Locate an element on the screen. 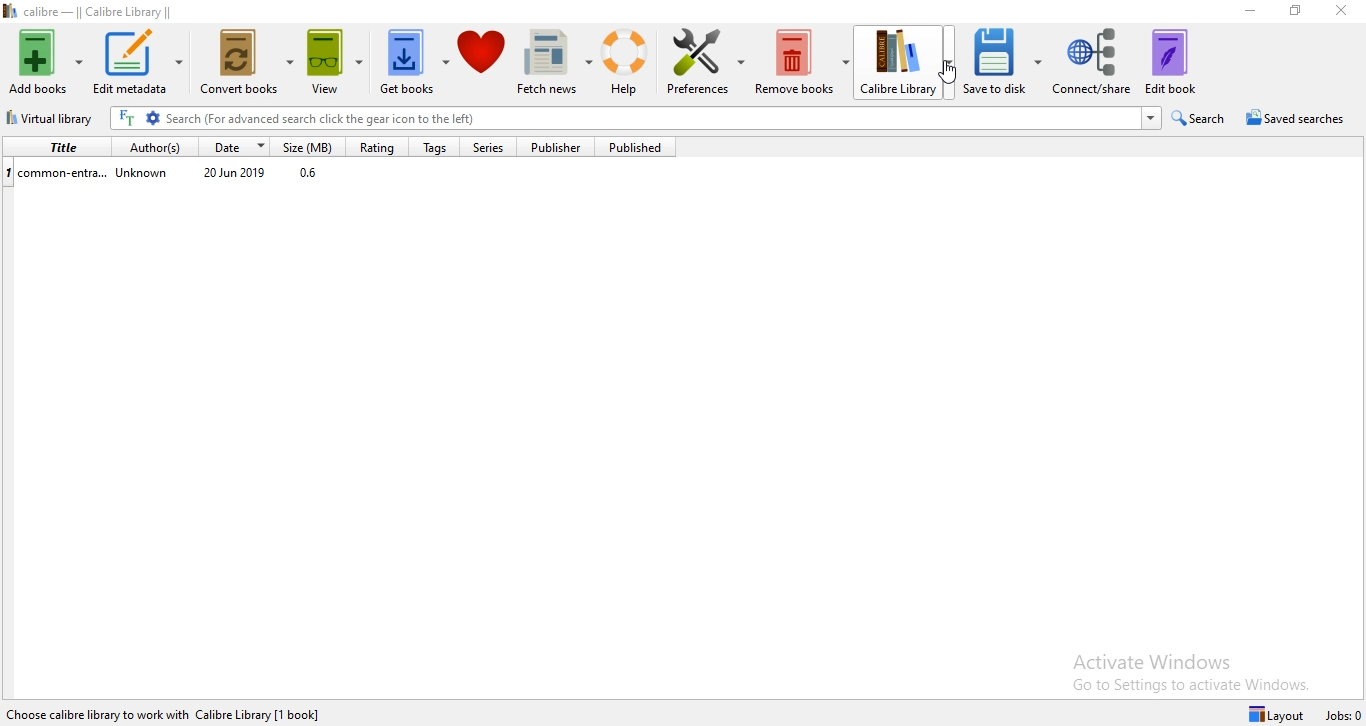 The image size is (1366, 726). Date is located at coordinates (236, 146).